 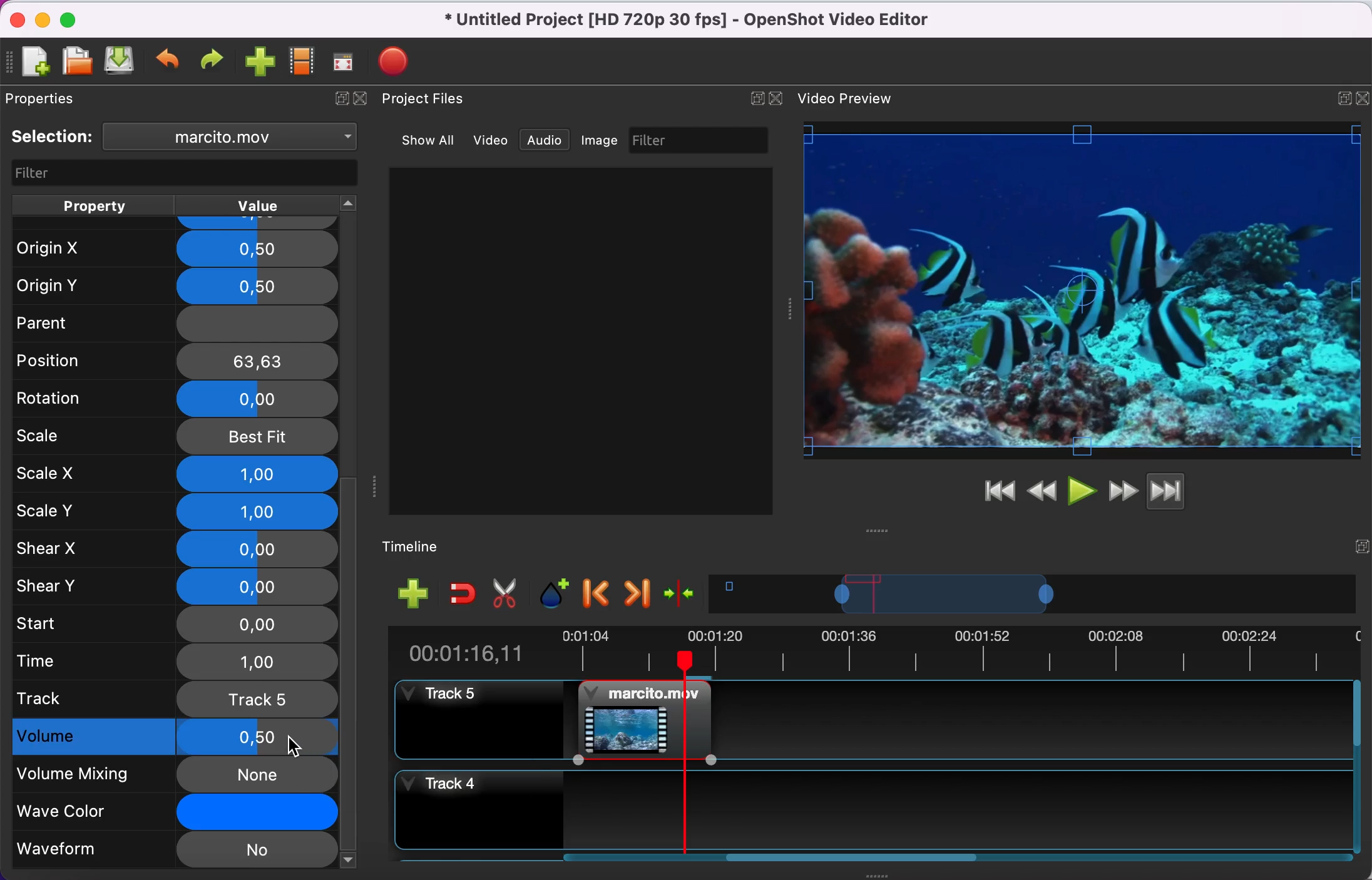 I want to click on volume mixing none, so click(x=172, y=774).